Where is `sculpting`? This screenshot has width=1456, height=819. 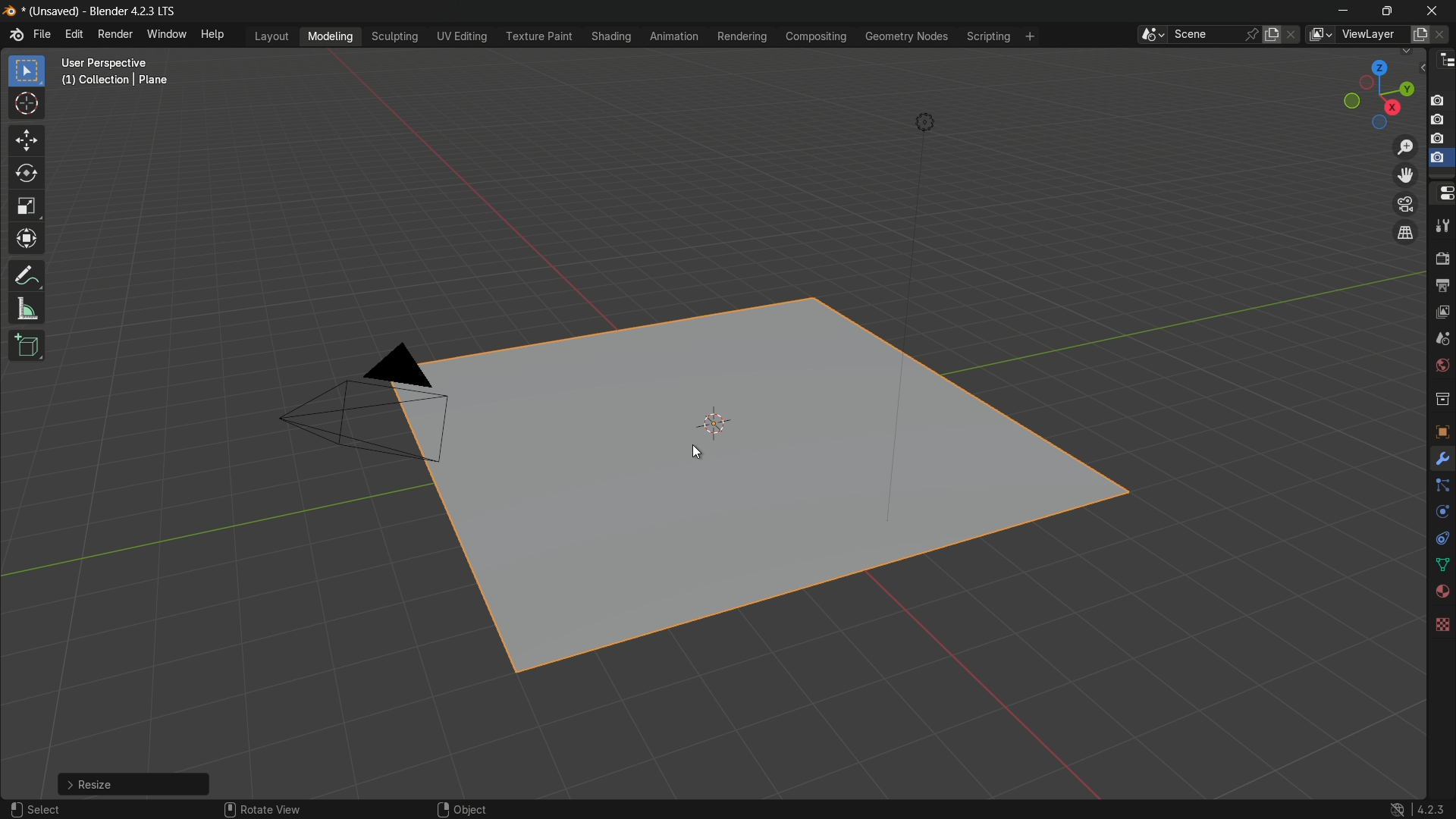 sculpting is located at coordinates (395, 37).